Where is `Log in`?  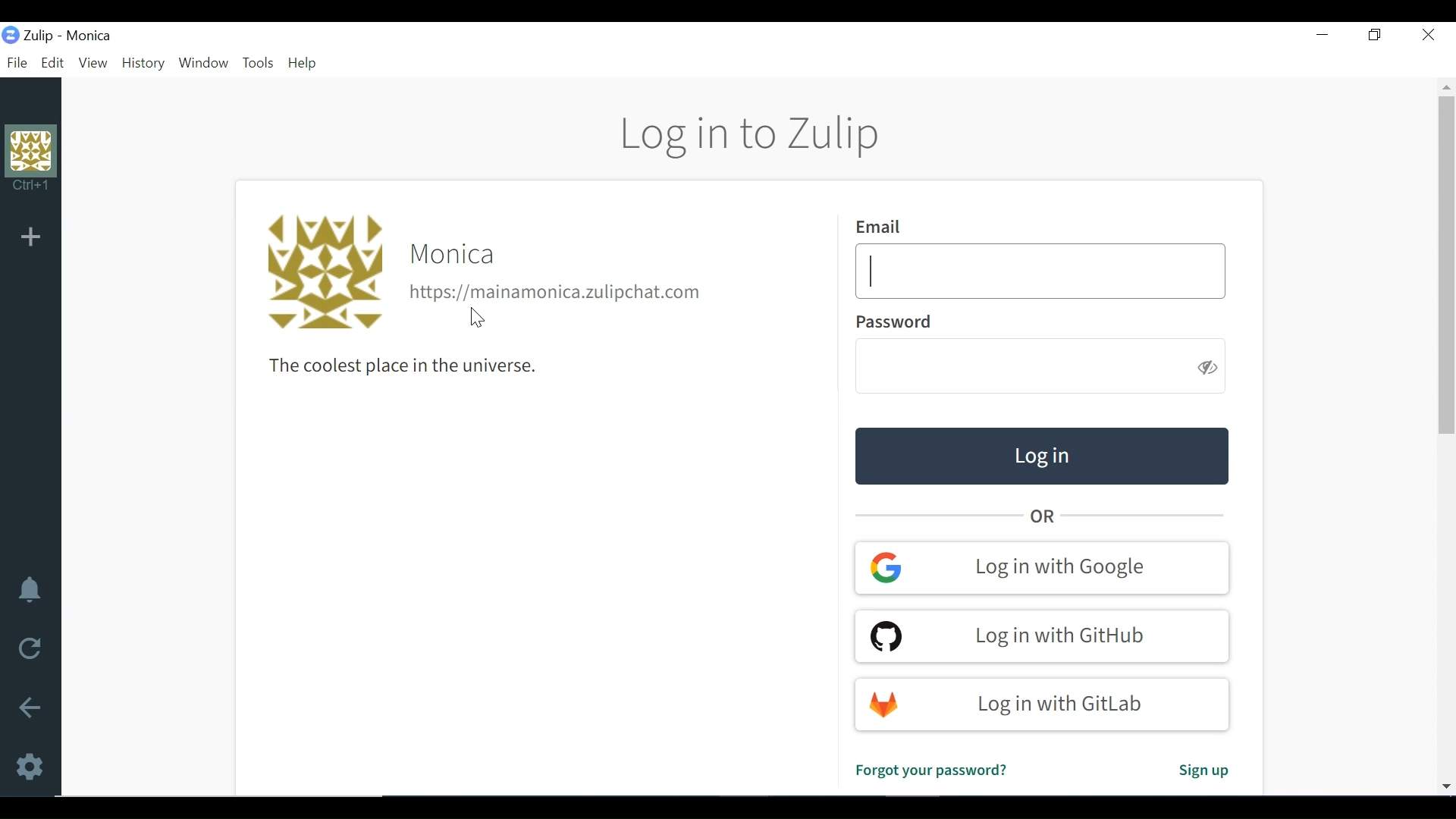 Log in is located at coordinates (1040, 456).